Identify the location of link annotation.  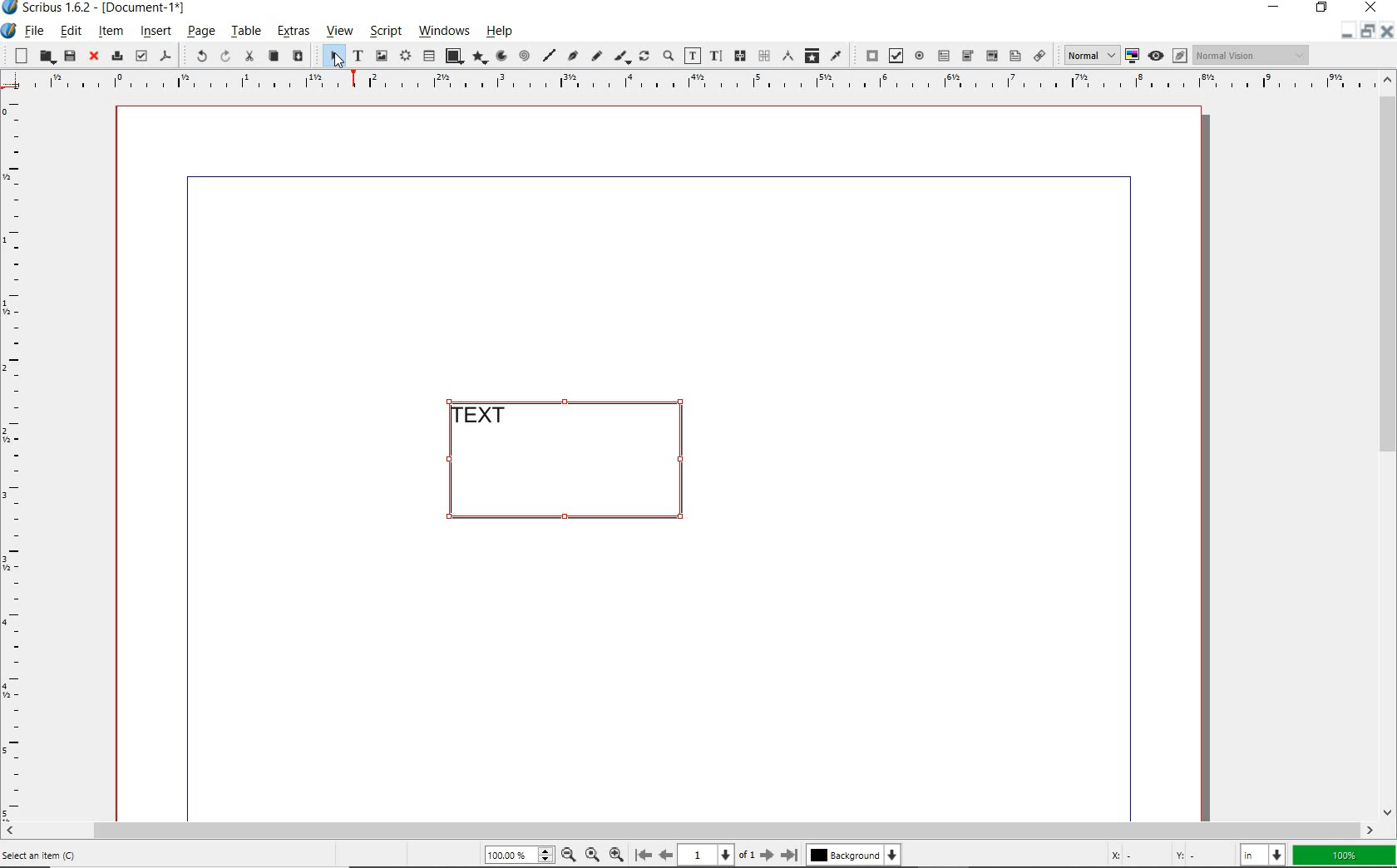
(1041, 57).